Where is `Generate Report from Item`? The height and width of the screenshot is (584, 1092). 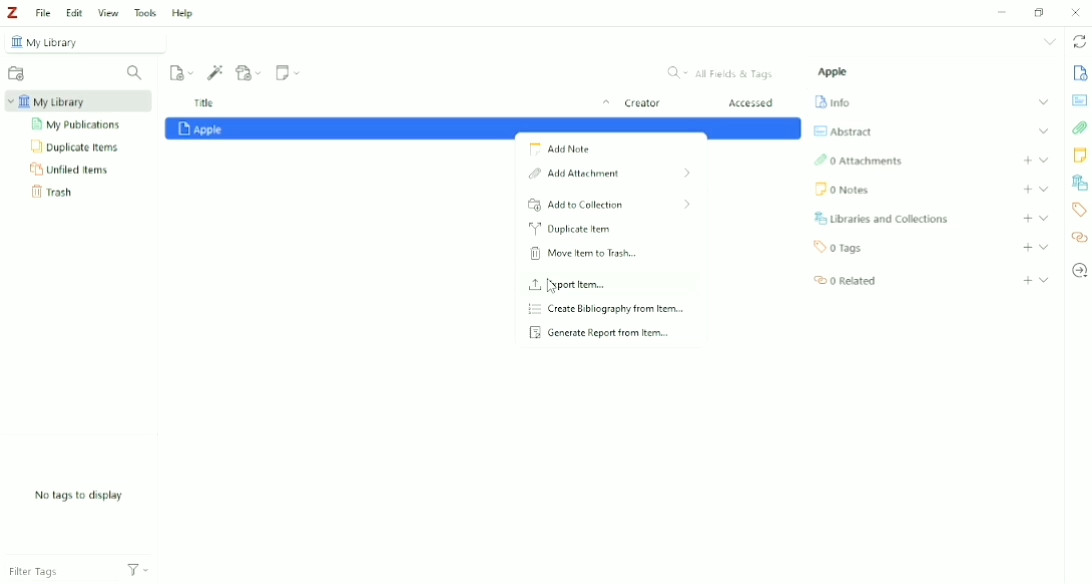
Generate Report from Item is located at coordinates (600, 333).